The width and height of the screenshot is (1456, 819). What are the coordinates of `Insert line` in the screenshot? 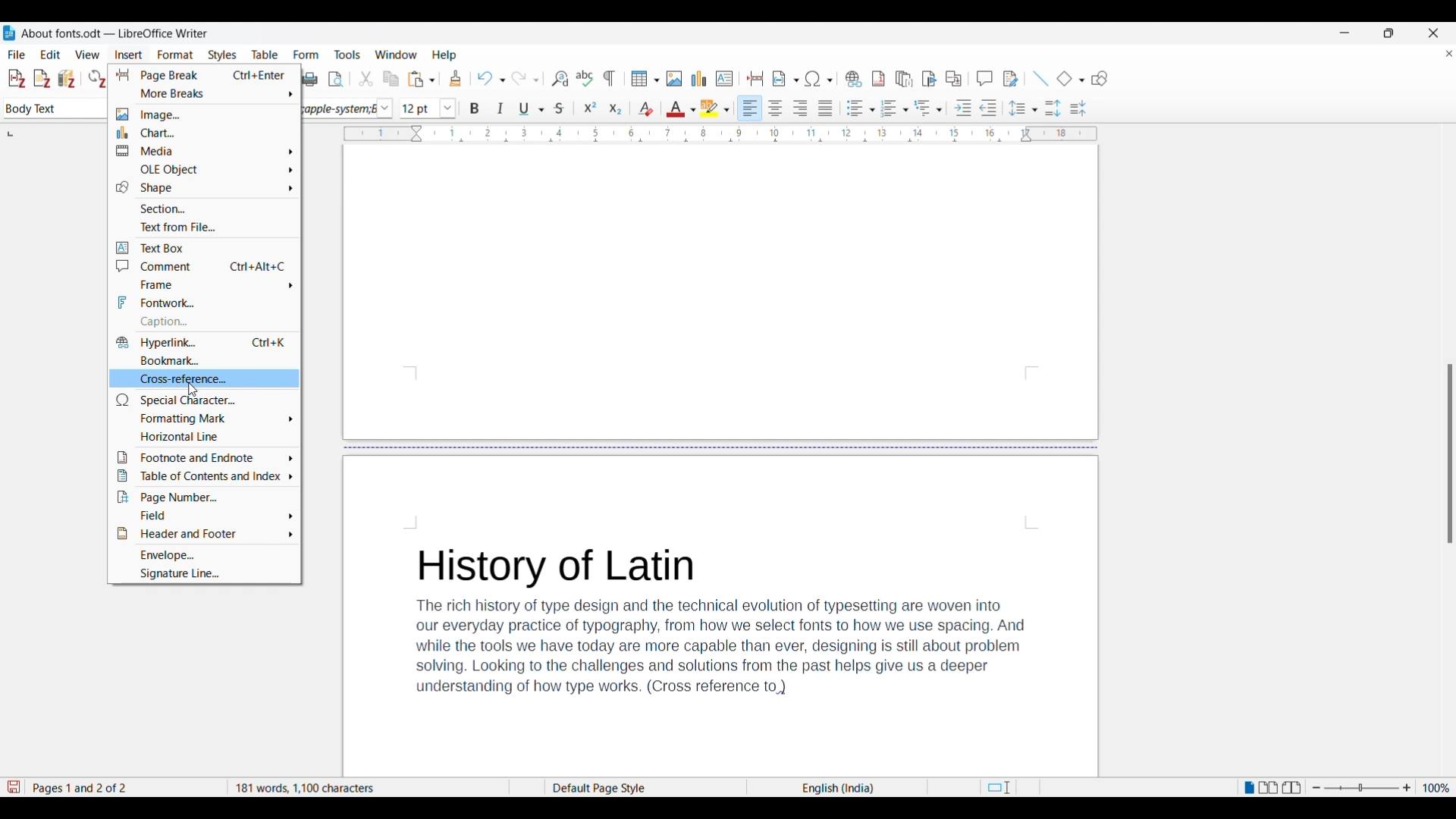 It's located at (1040, 79).